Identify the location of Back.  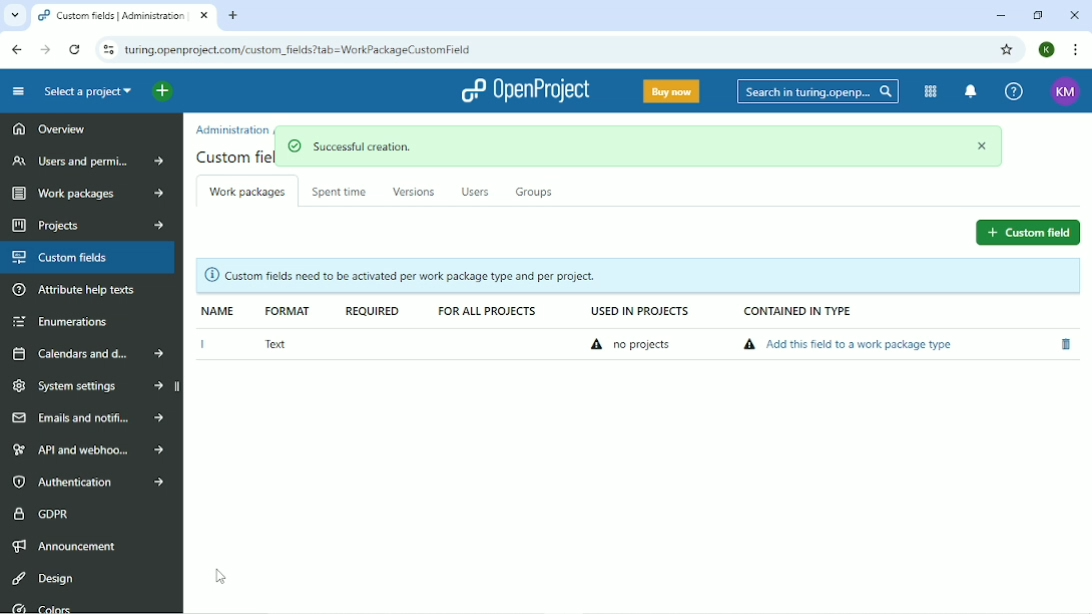
(18, 49).